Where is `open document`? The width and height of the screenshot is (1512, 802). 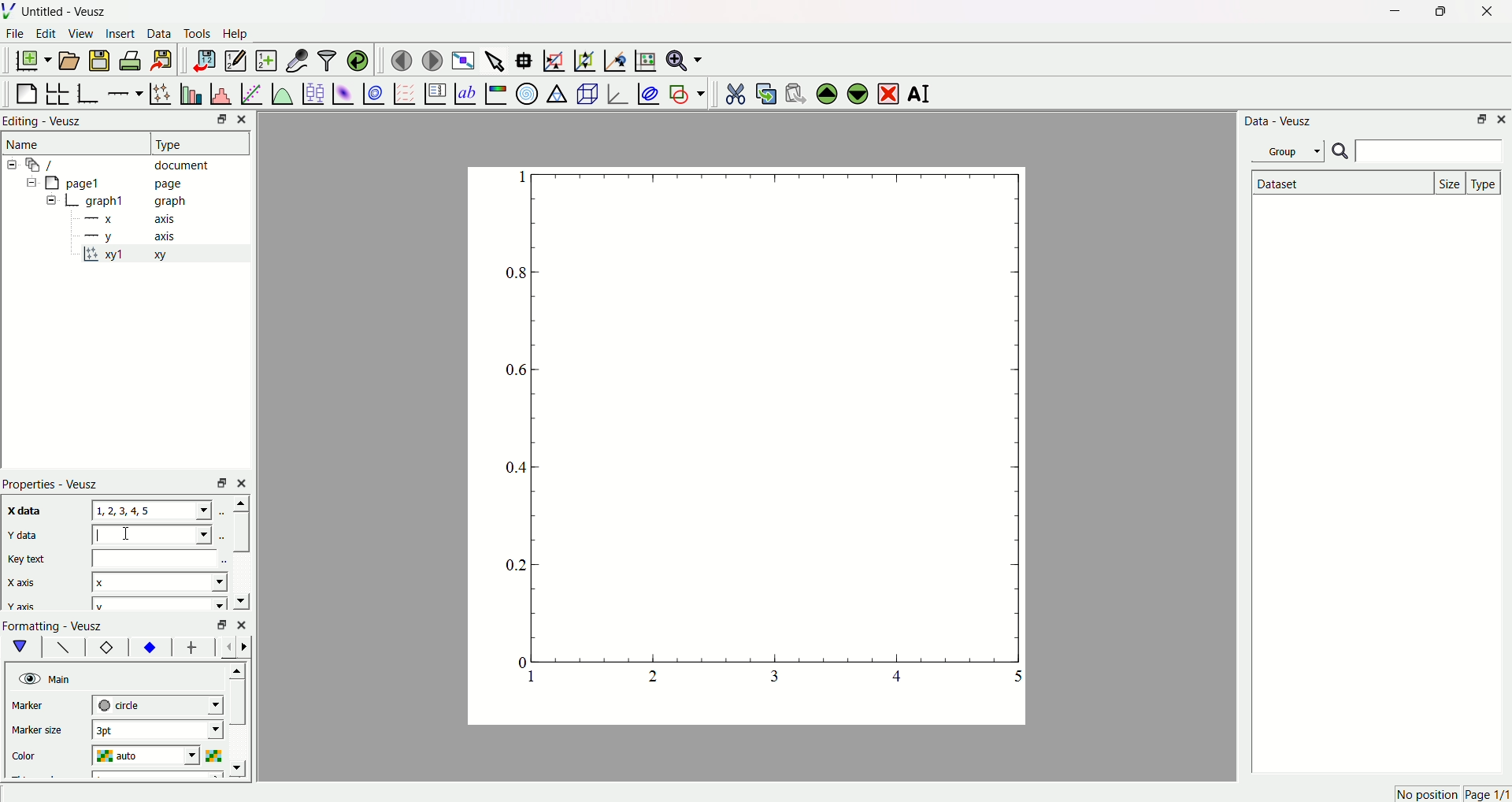
open document is located at coordinates (70, 60).